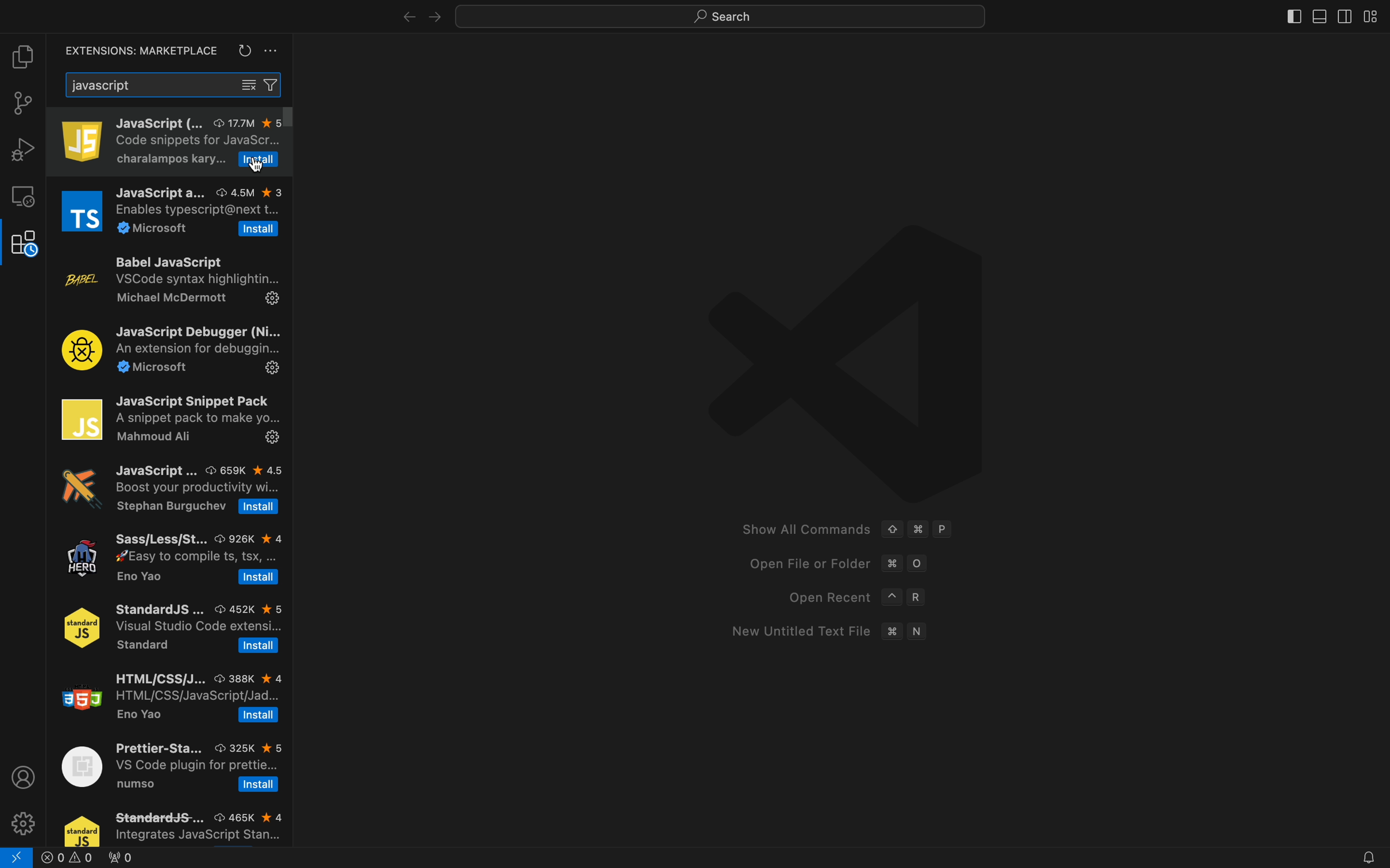  Describe the element at coordinates (23, 103) in the screenshot. I see `git` at that location.